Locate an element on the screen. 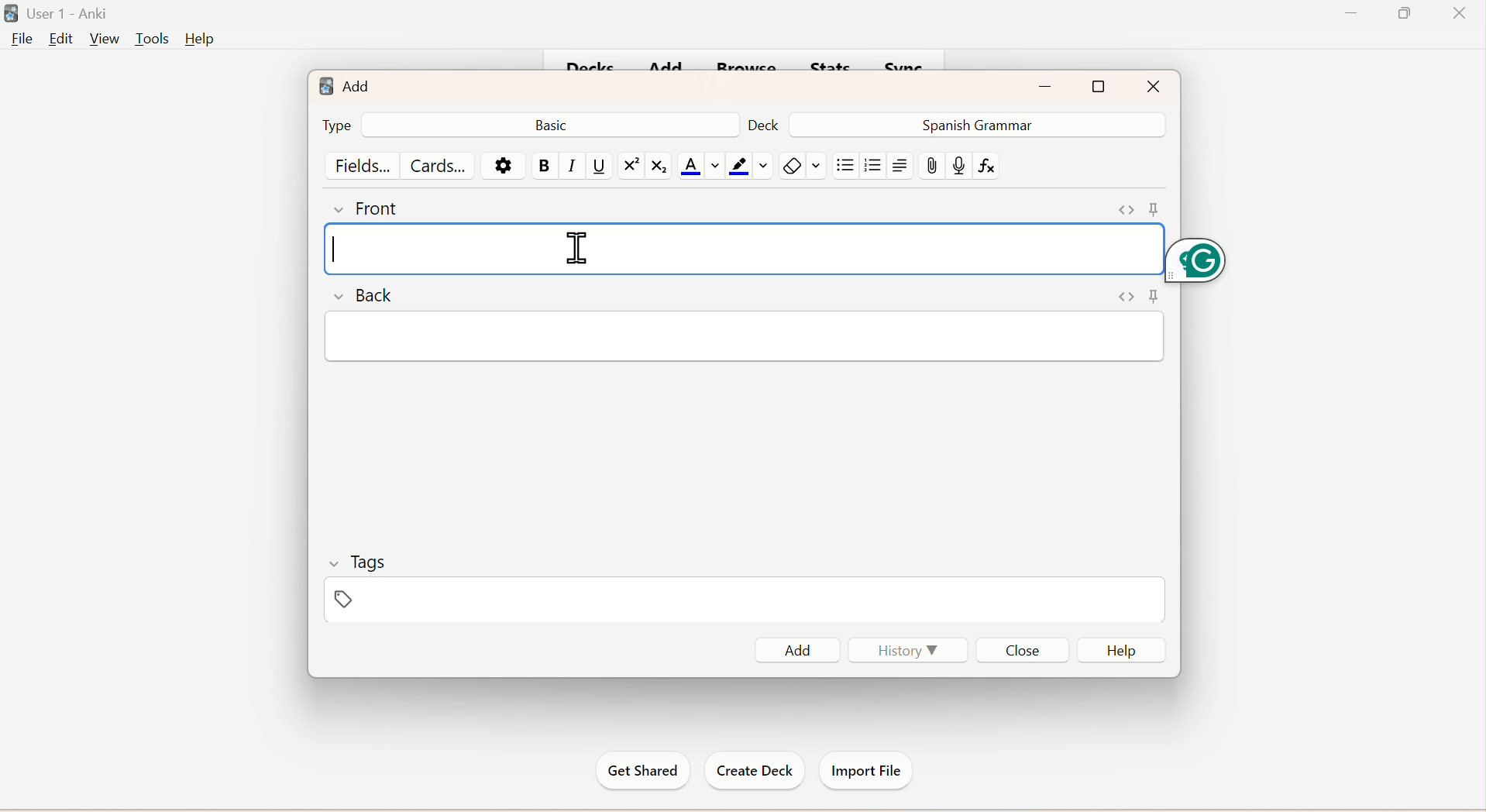 This screenshot has width=1486, height=812. Settings is located at coordinates (500, 165).